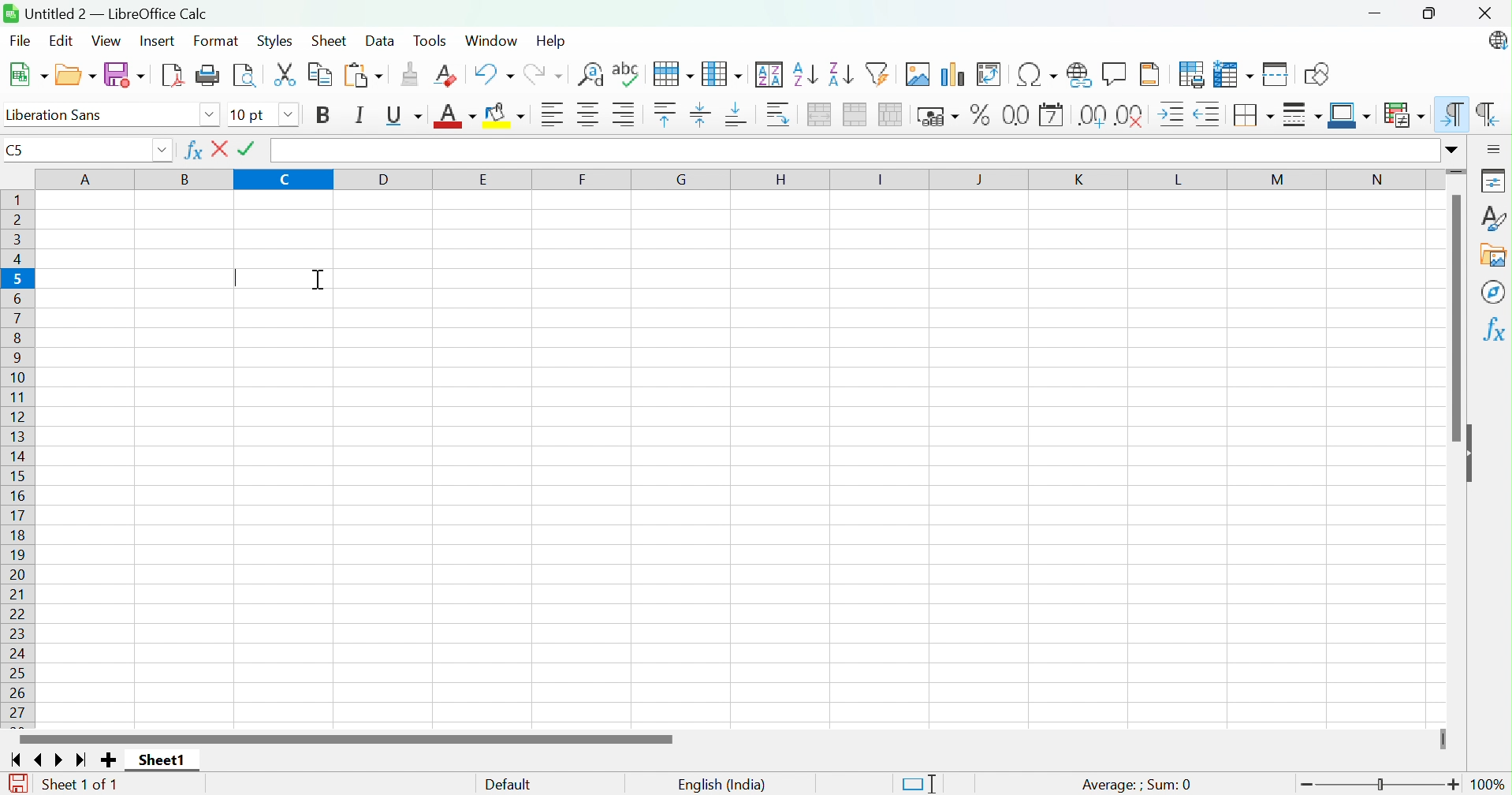 The image size is (1512, 795). Describe the element at coordinates (1494, 292) in the screenshot. I see `Navigator` at that location.